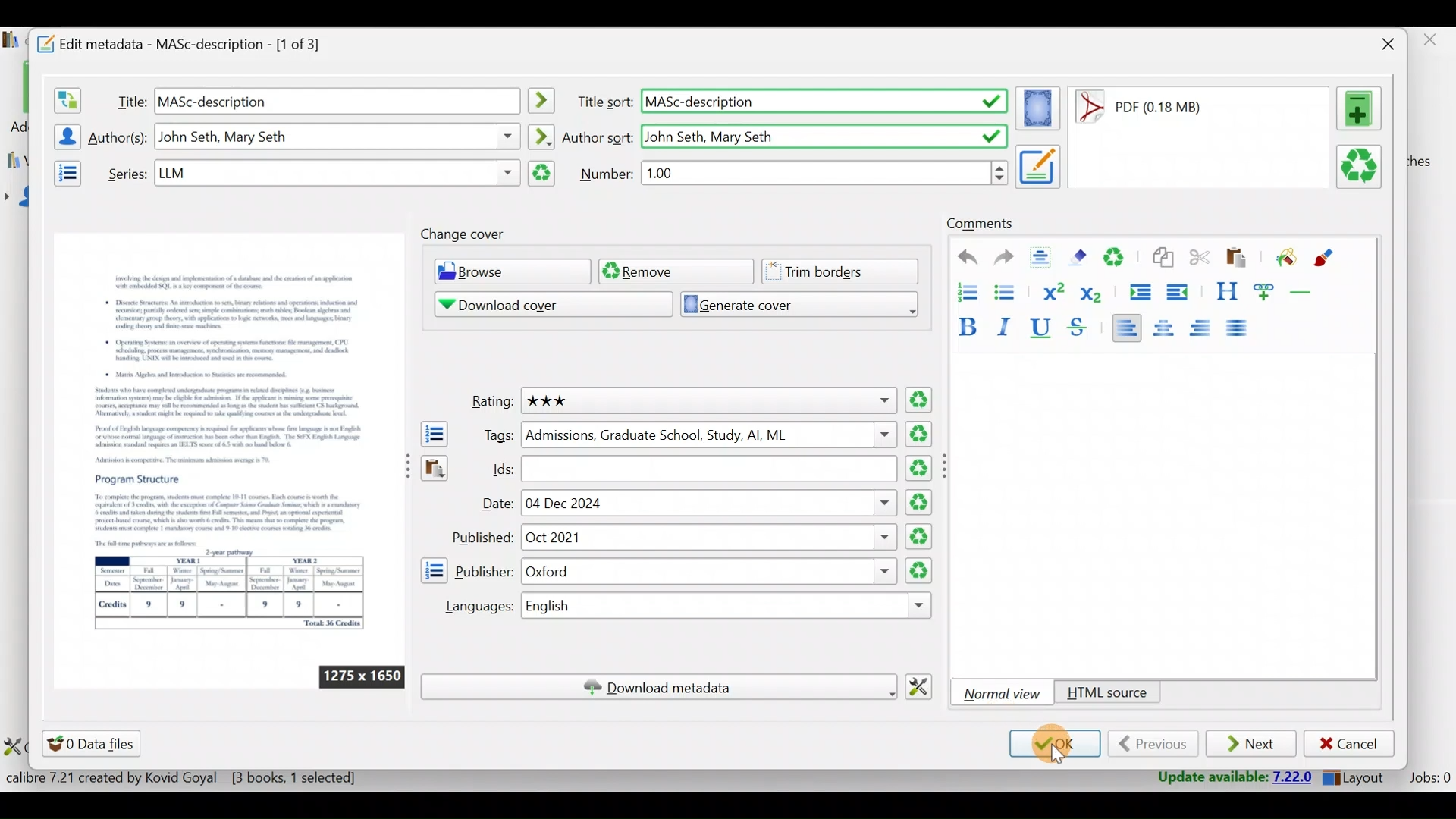 This screenshot has width=1456, height=819. What do you see at coordinates (1044, 259) in the screenshot?
I see `Select all` at bounding box center [1044, 259].